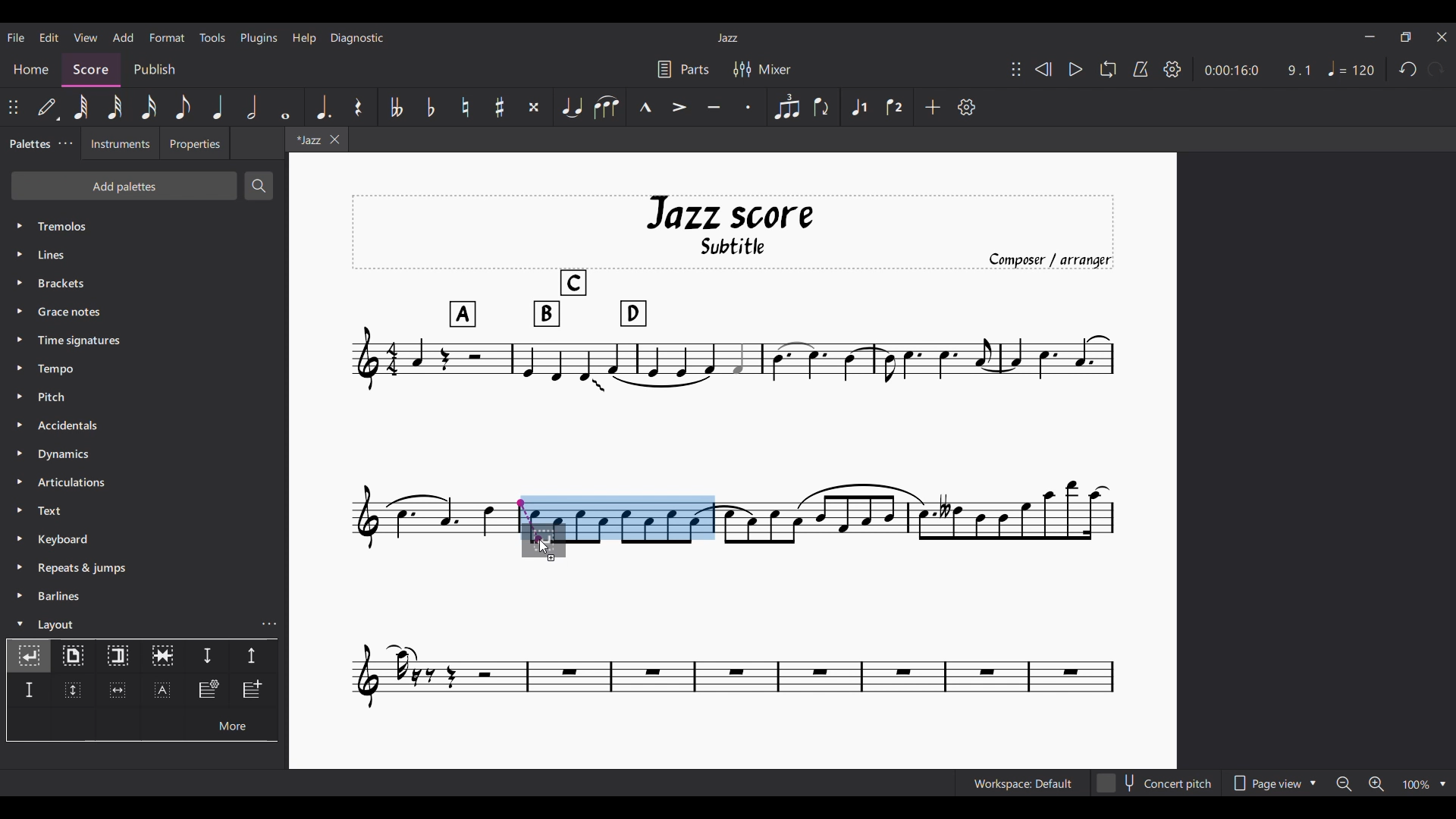  What do you see at coordinates (253, 657) in the screenshot?
I see `Start spacer up` at bounding box center [253, 657].